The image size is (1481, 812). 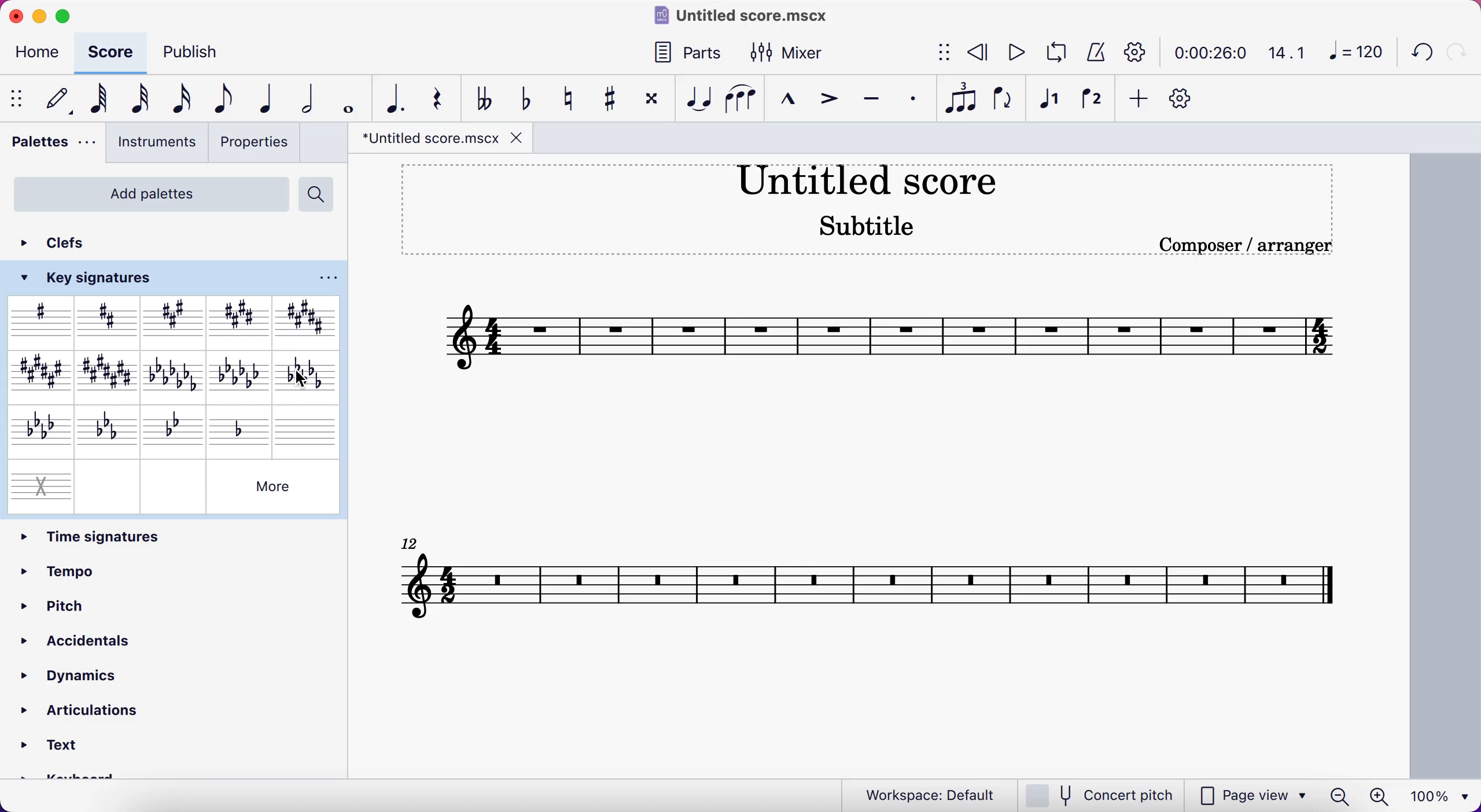 What do you see at coordinates (237, 318) in the screenshot?
I see `E major` at bounding box center [237, 318].